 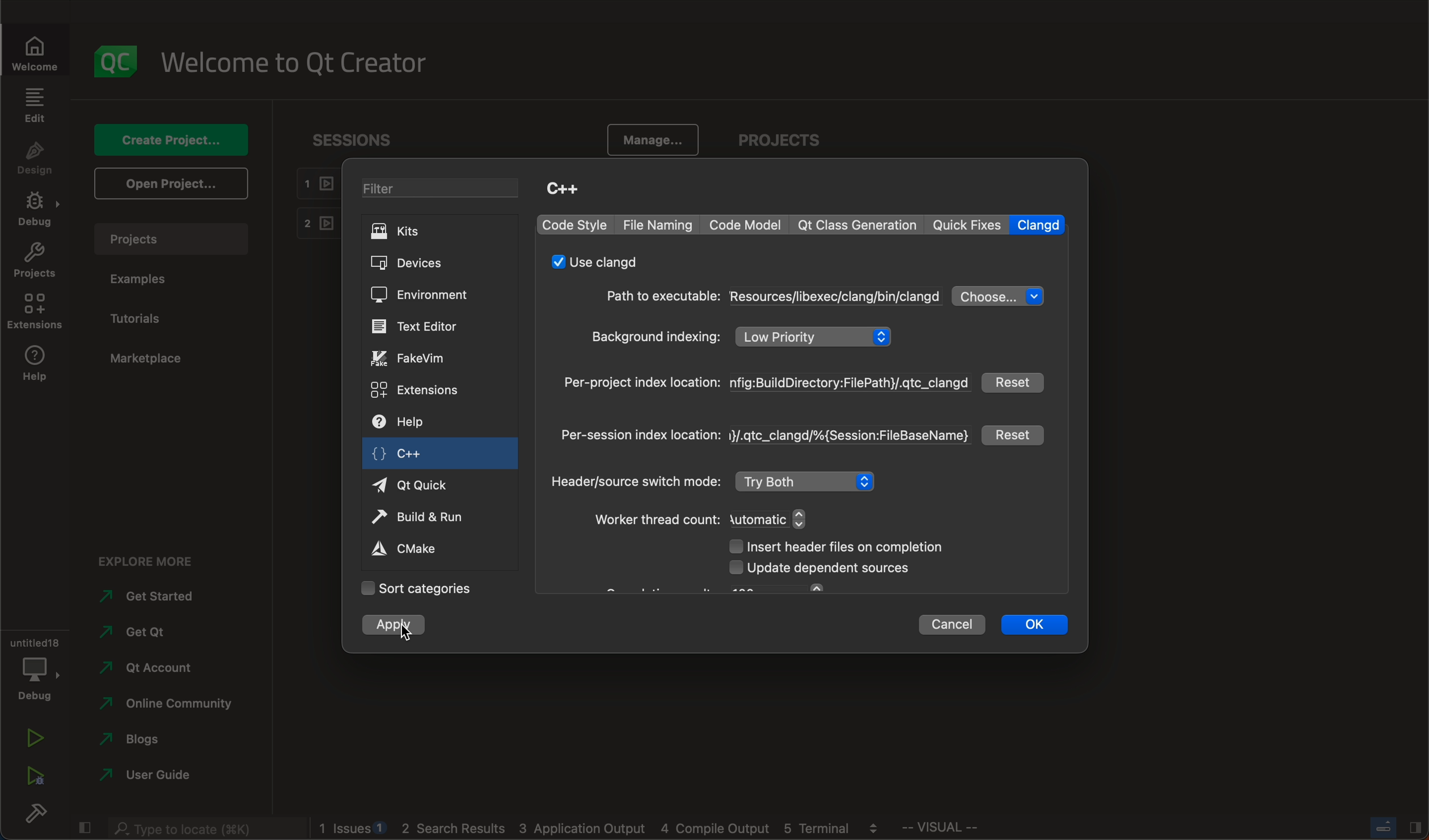 I want to click on run, so click(x=35, y=737).